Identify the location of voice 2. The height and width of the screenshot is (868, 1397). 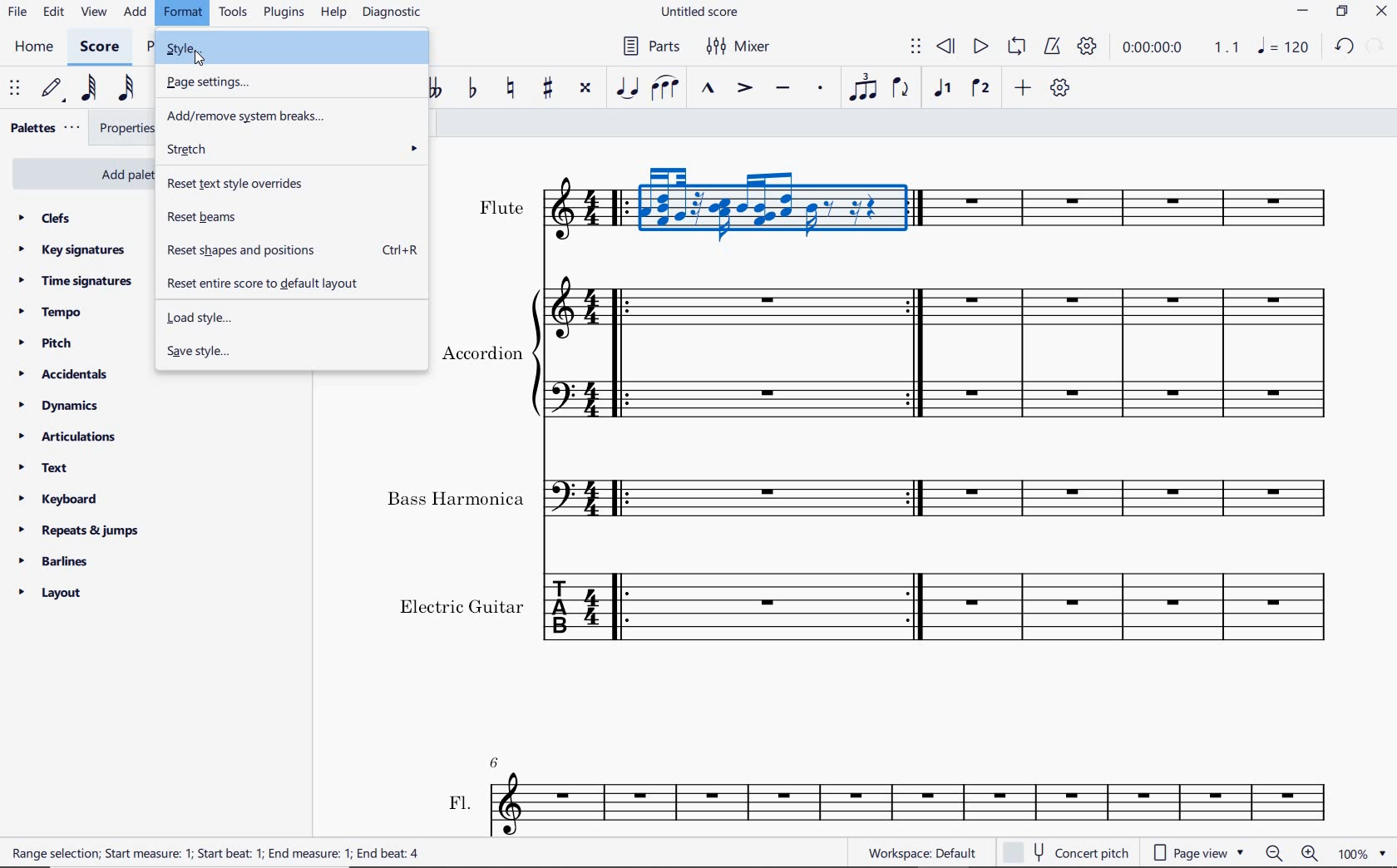
(980, 87).